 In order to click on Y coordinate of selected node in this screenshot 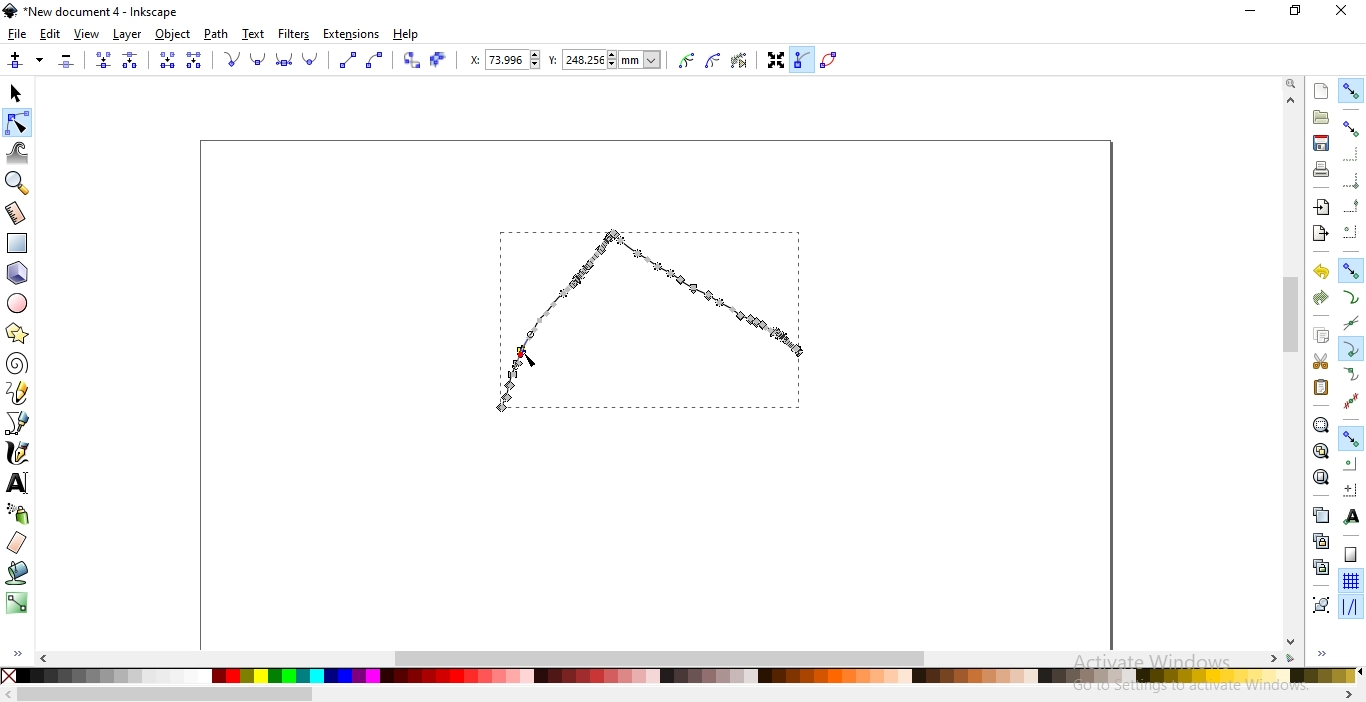, I will do `click(609, 62)`.